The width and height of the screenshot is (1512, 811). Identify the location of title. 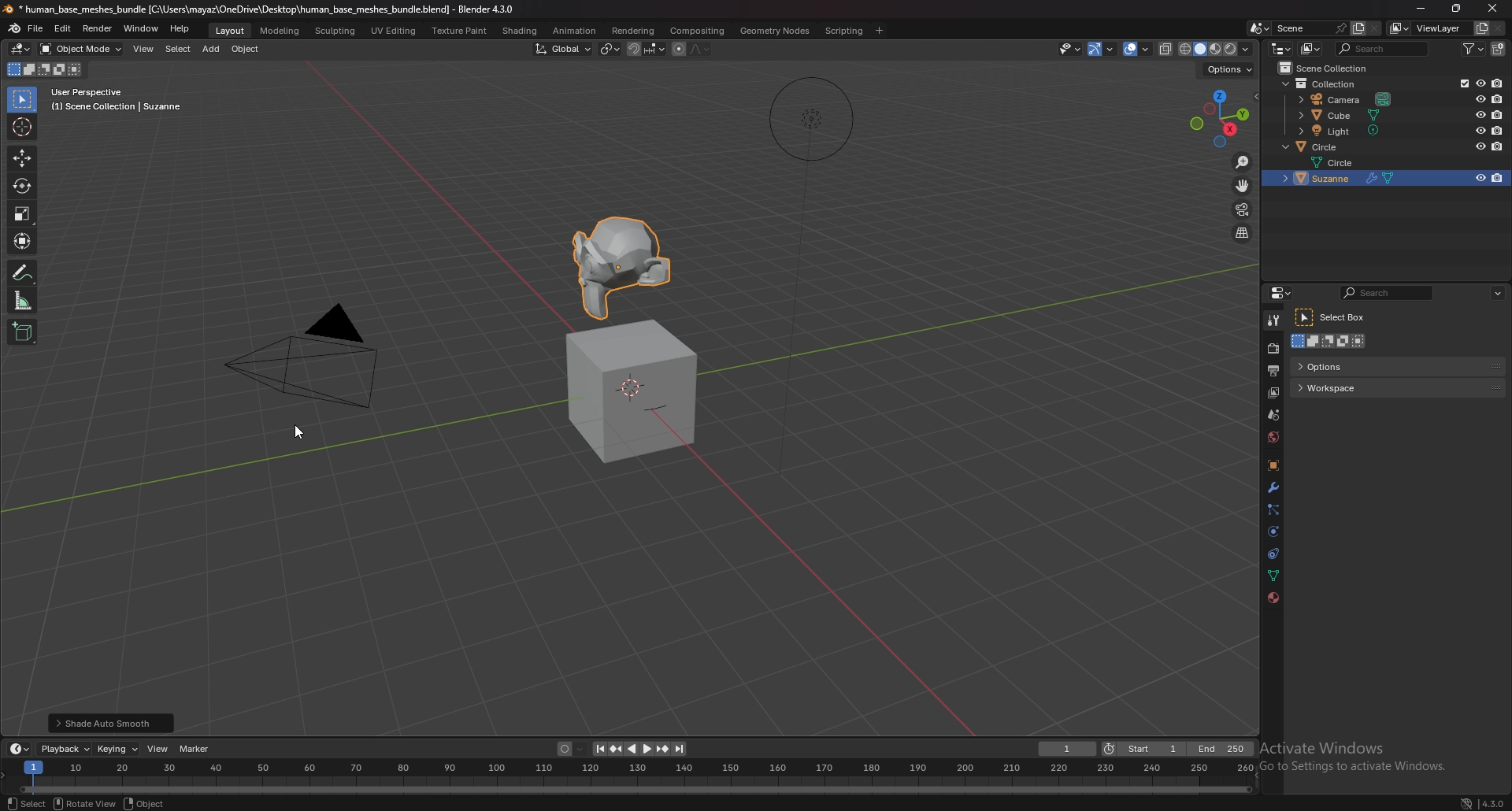
(257, 9).